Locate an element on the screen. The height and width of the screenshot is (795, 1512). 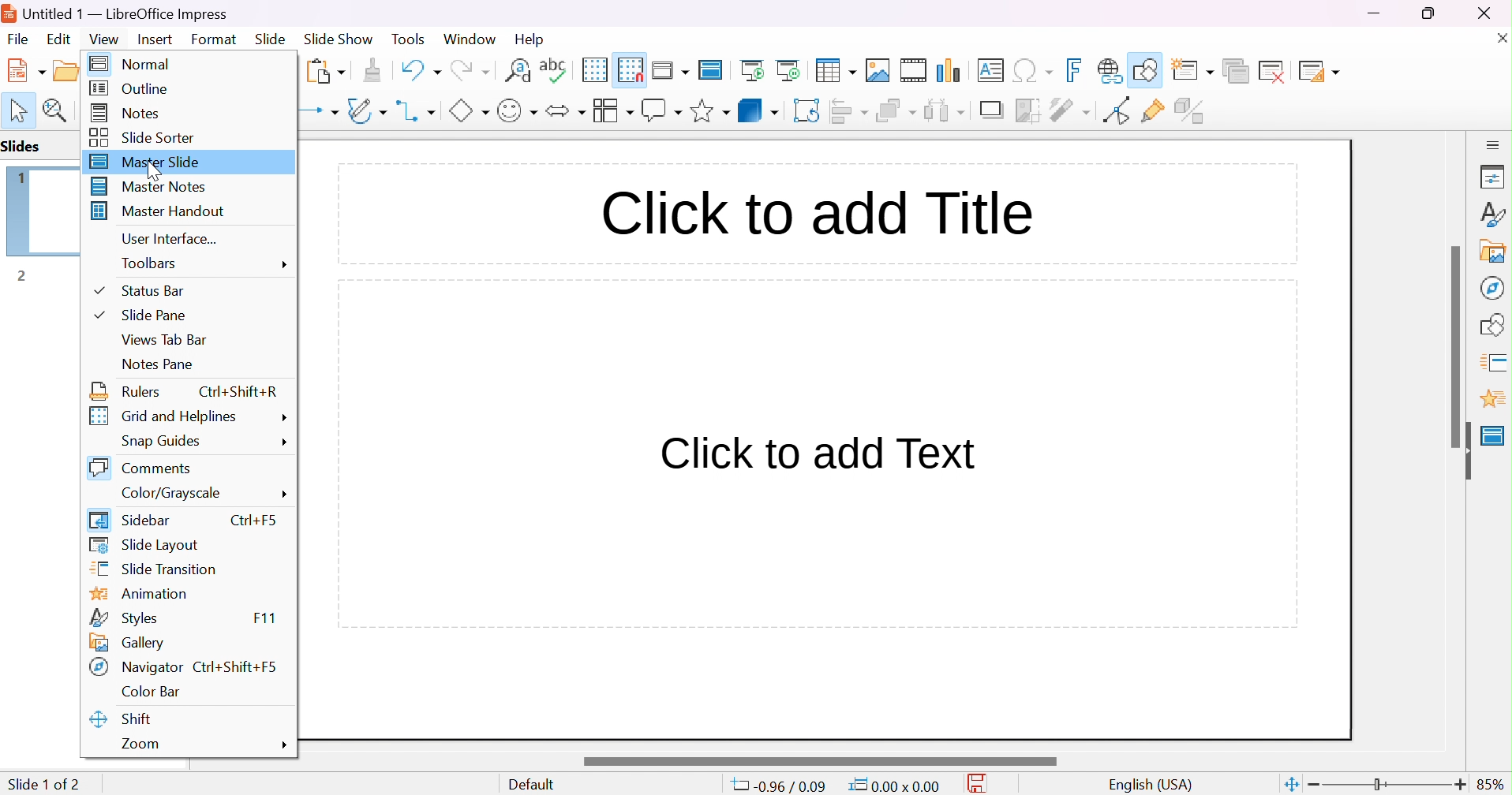
toggle extrusion is located at coordinates (1192, 110).